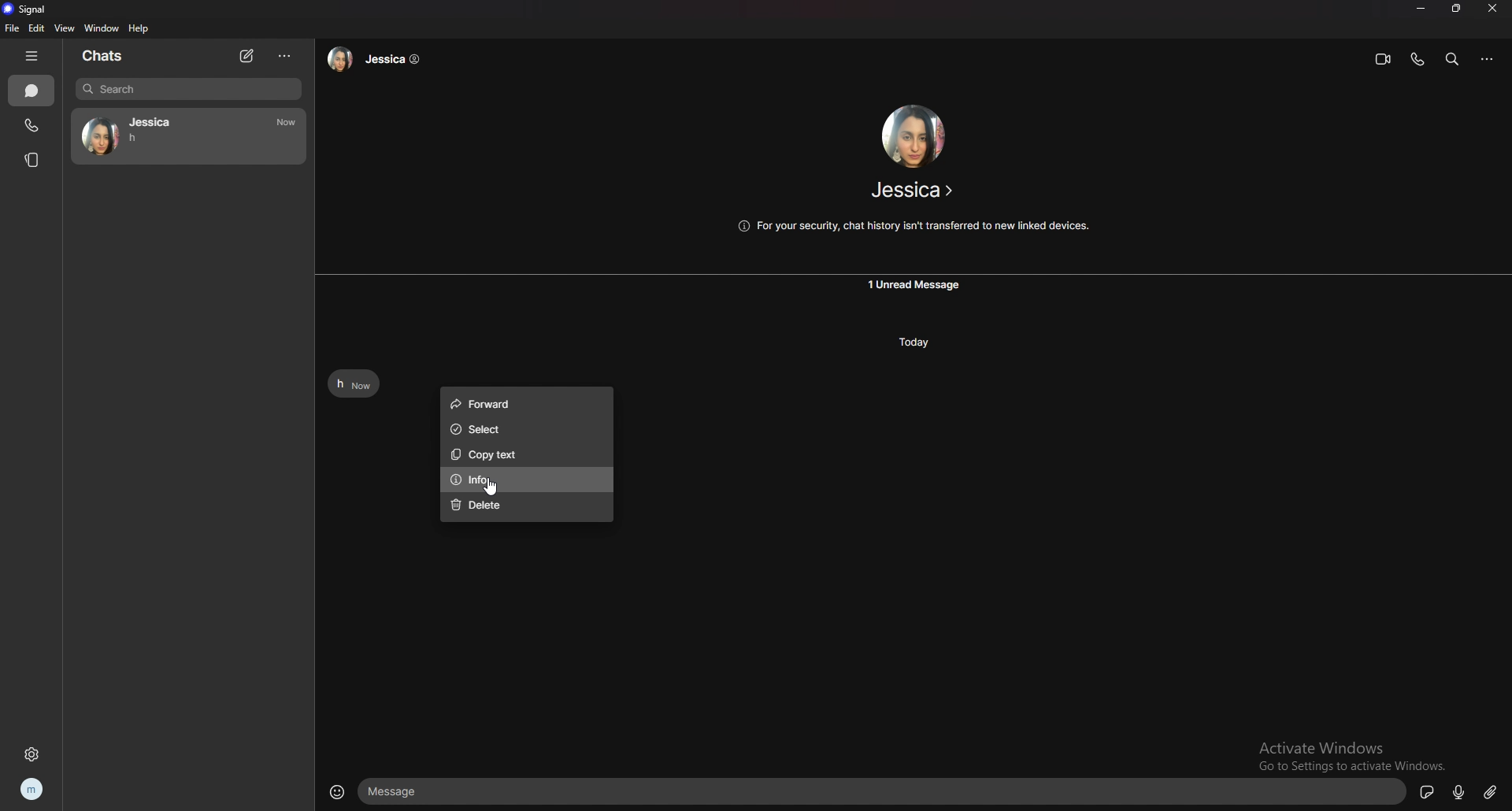  Describe the element at coordinates (185, 136) in the screenshot. I see `jessica` at that location.